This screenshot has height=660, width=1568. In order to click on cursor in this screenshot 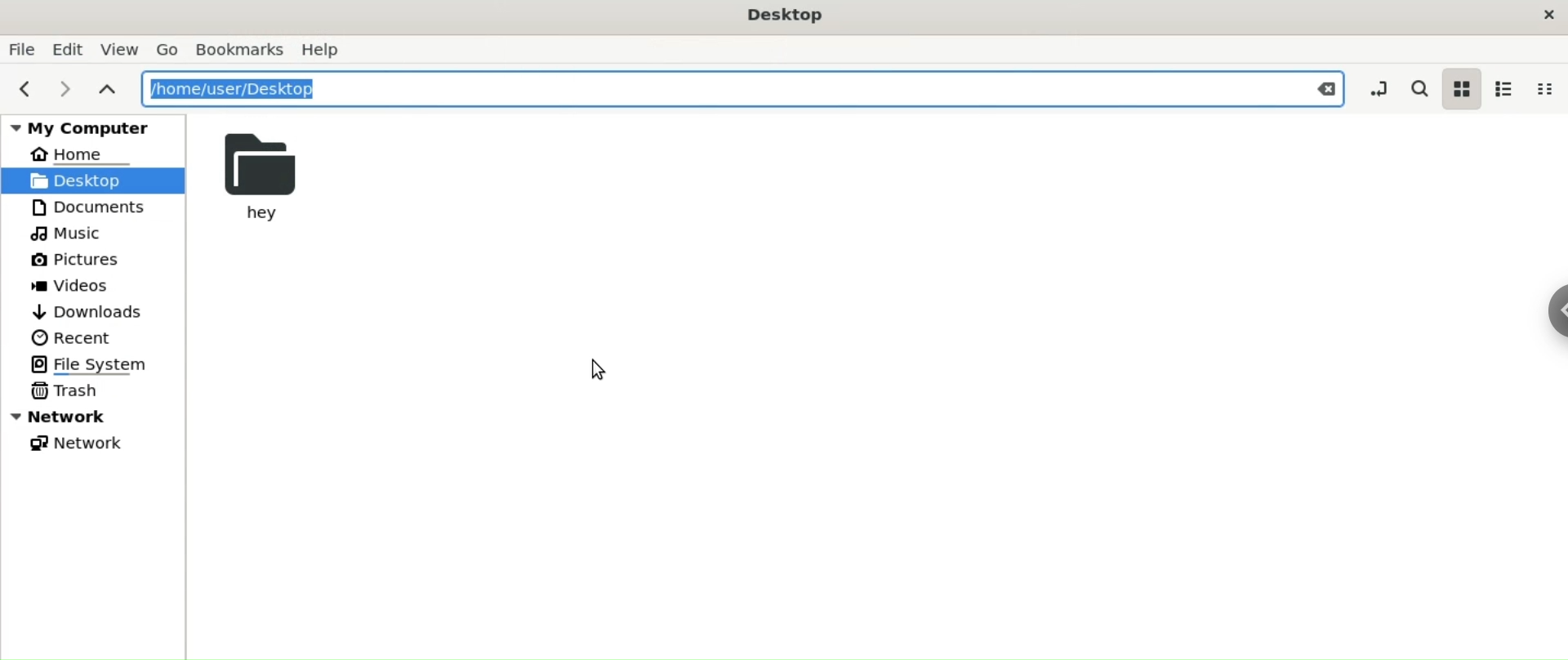, I will do `click(595, 371)`.